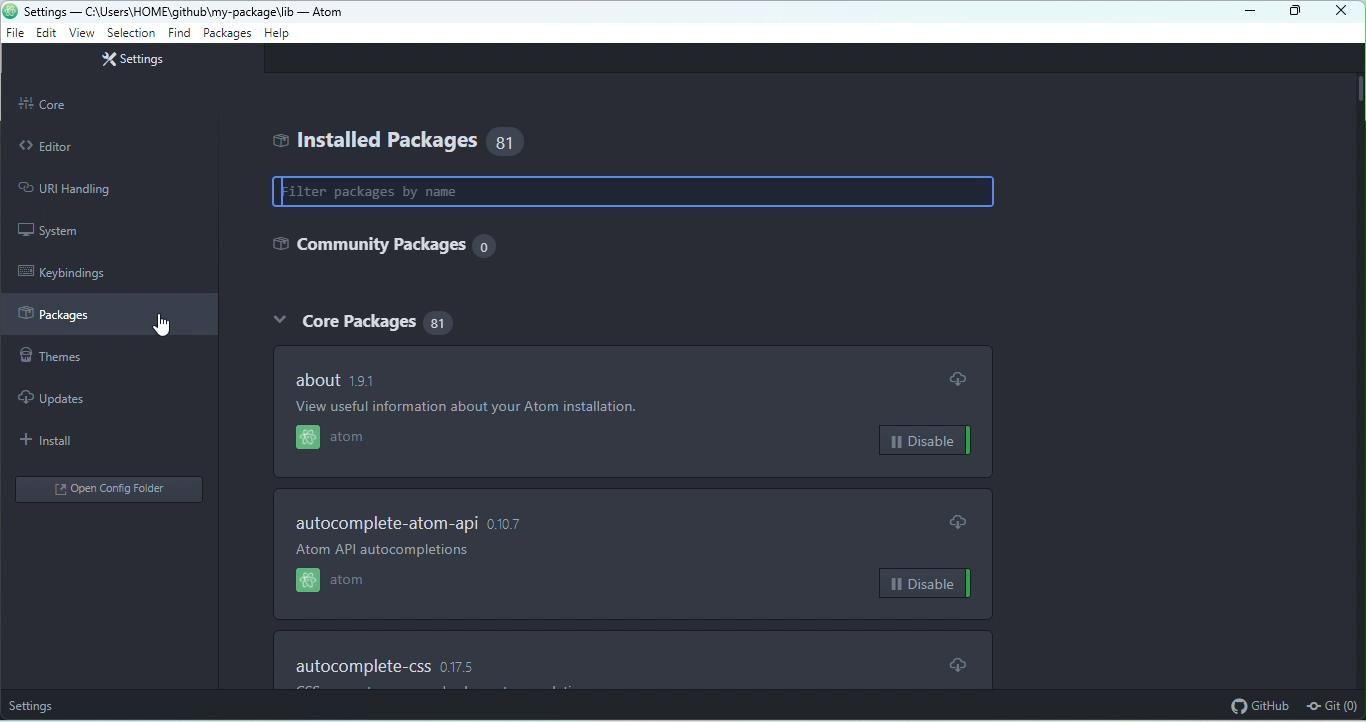 The width and height of the screenshot is (1366, 722). Describe the element at coordinates (308, 582) in the screenshot. I see `®atom logo` at that location.